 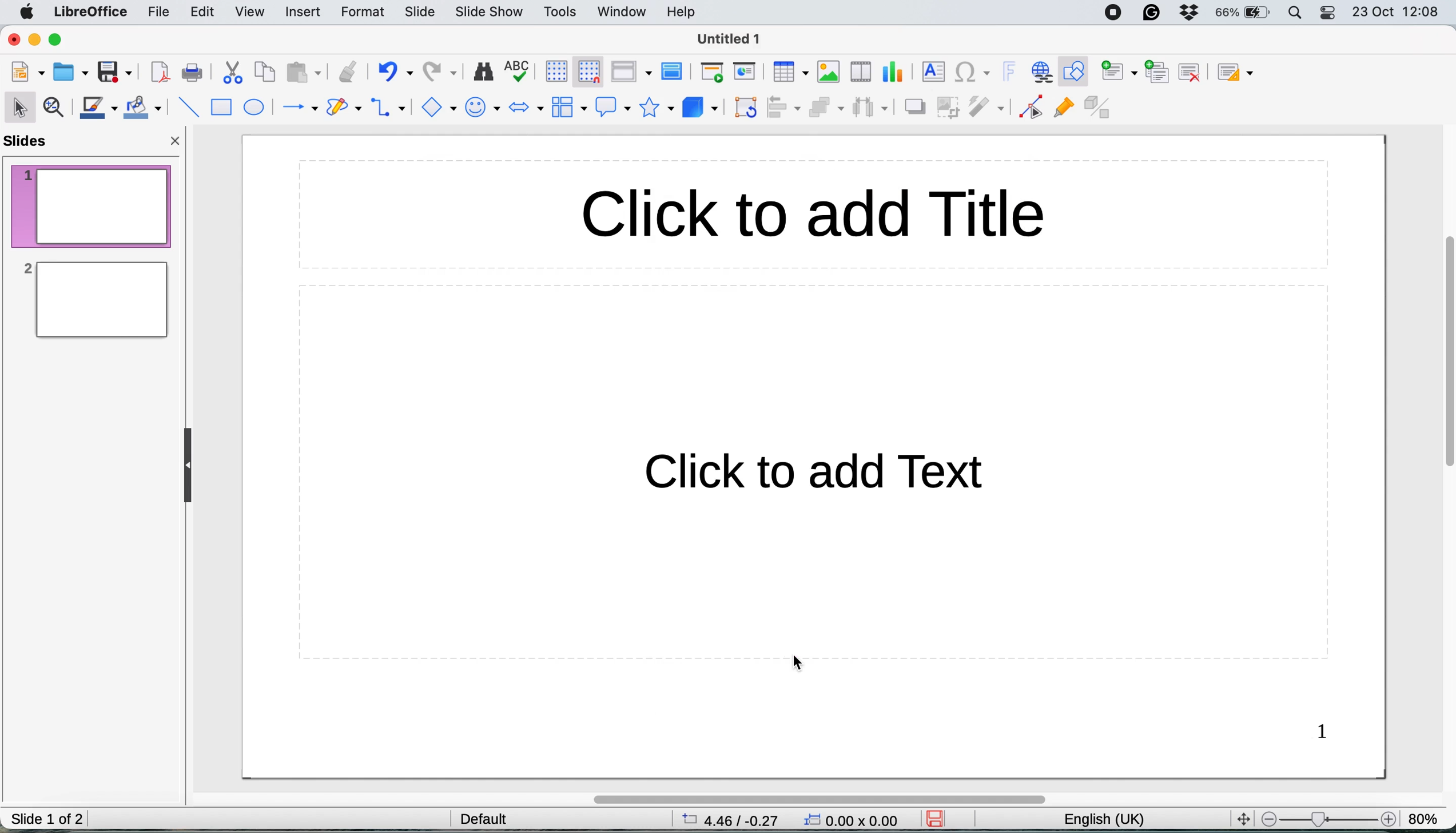 What do you see at coordinates (818, 799) in the screenshot?
I see `horizontal scroll bar` at bounding box center [818, 799].